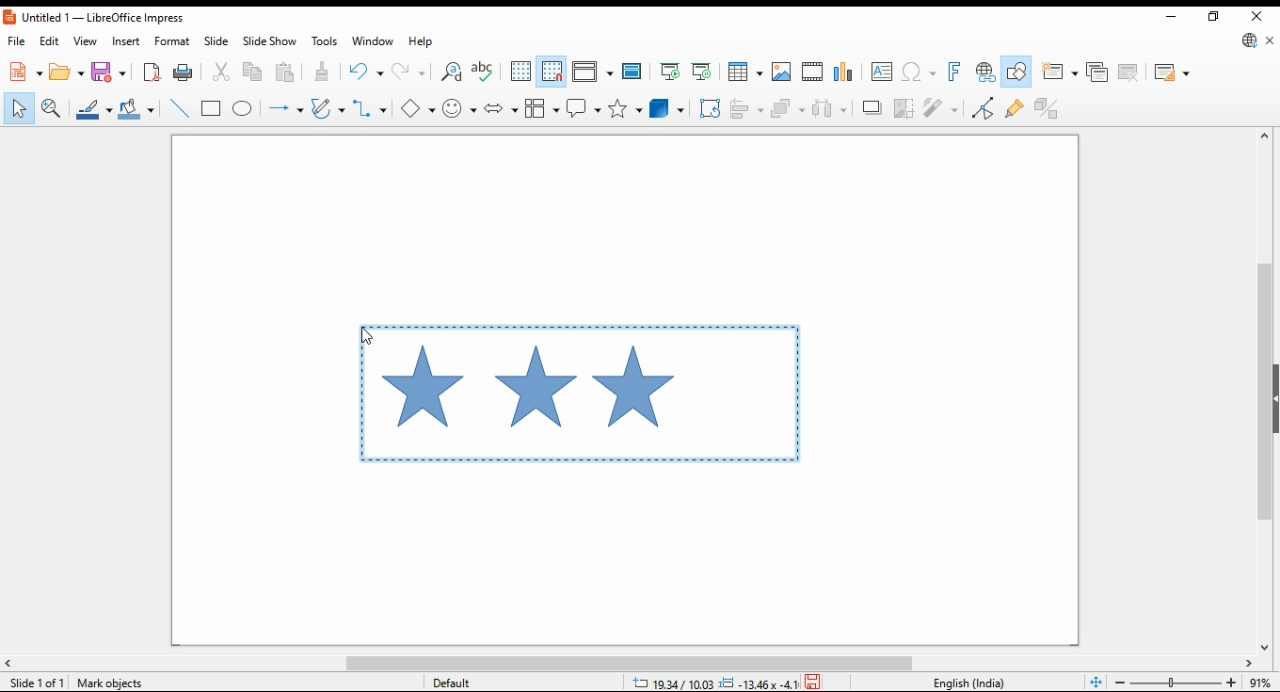 This screenshot has height=692, width=1280. What do you see at coordinates (17, 40) in the screenshot?
I see `file` at bounding box center [17, 40].